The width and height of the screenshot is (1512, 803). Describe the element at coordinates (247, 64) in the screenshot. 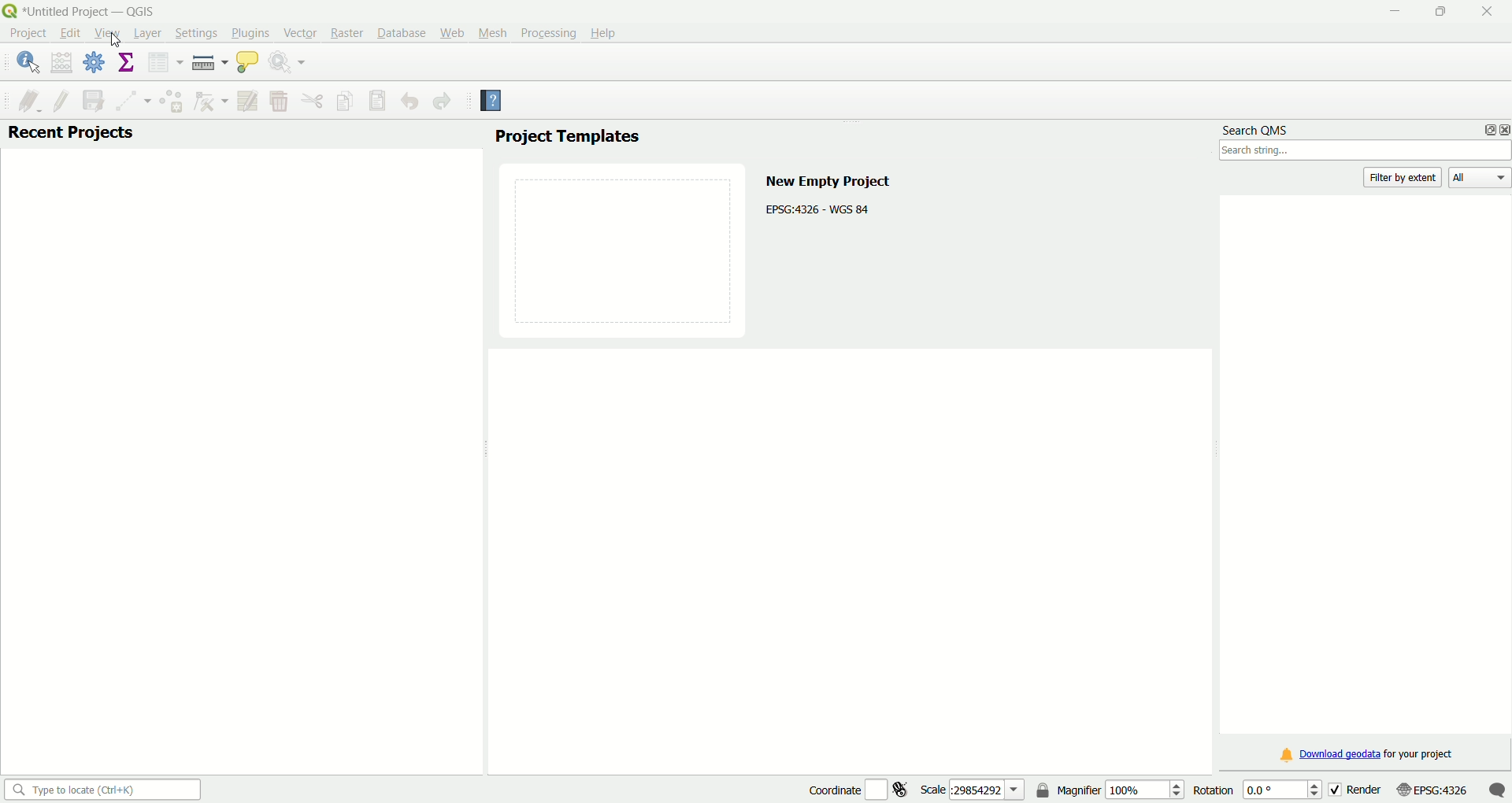

I see `show map tip` at that location.